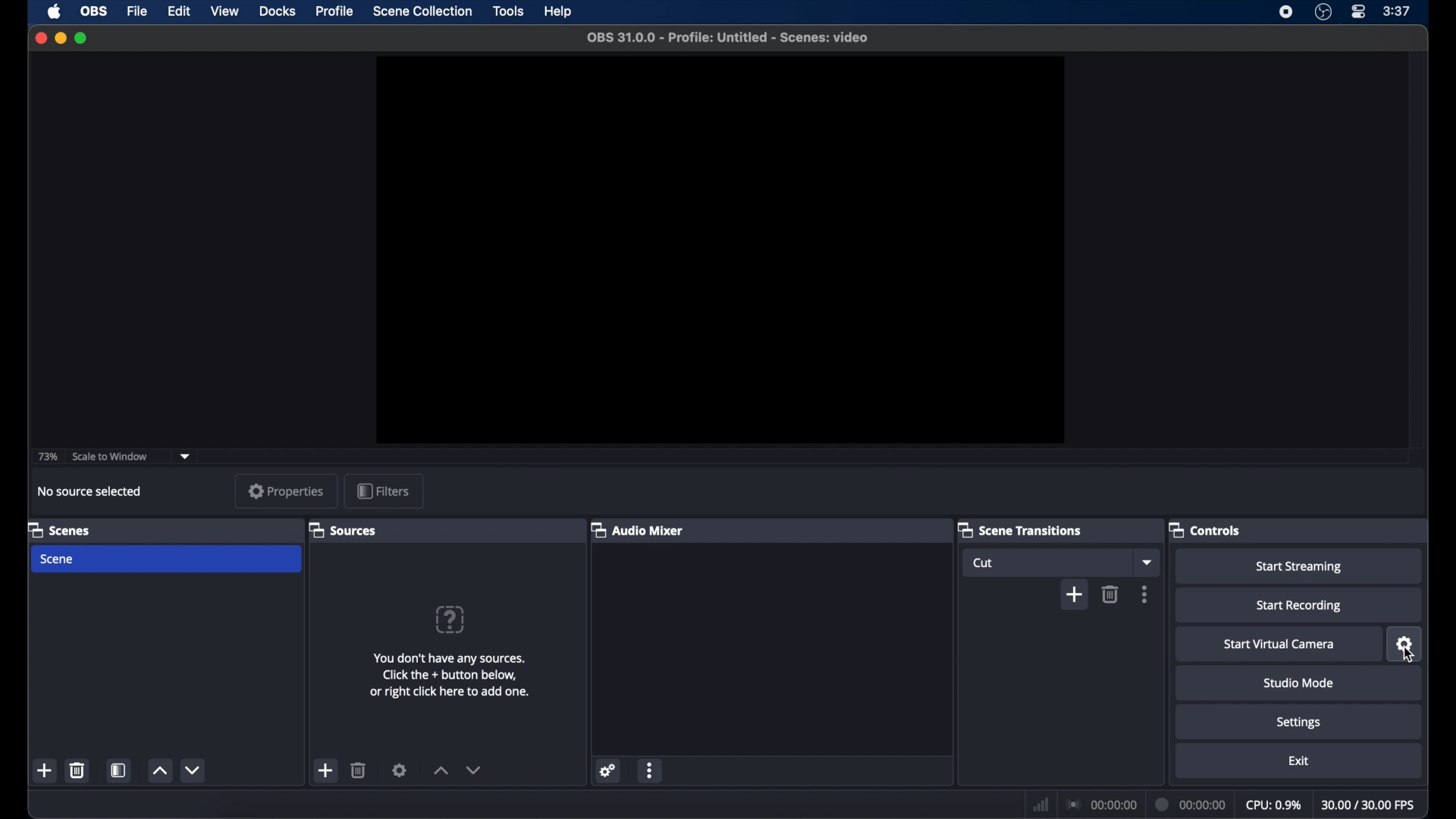  Describe the element at coordinates (1298, 723) in the screenshot. I see `settings` at that location.